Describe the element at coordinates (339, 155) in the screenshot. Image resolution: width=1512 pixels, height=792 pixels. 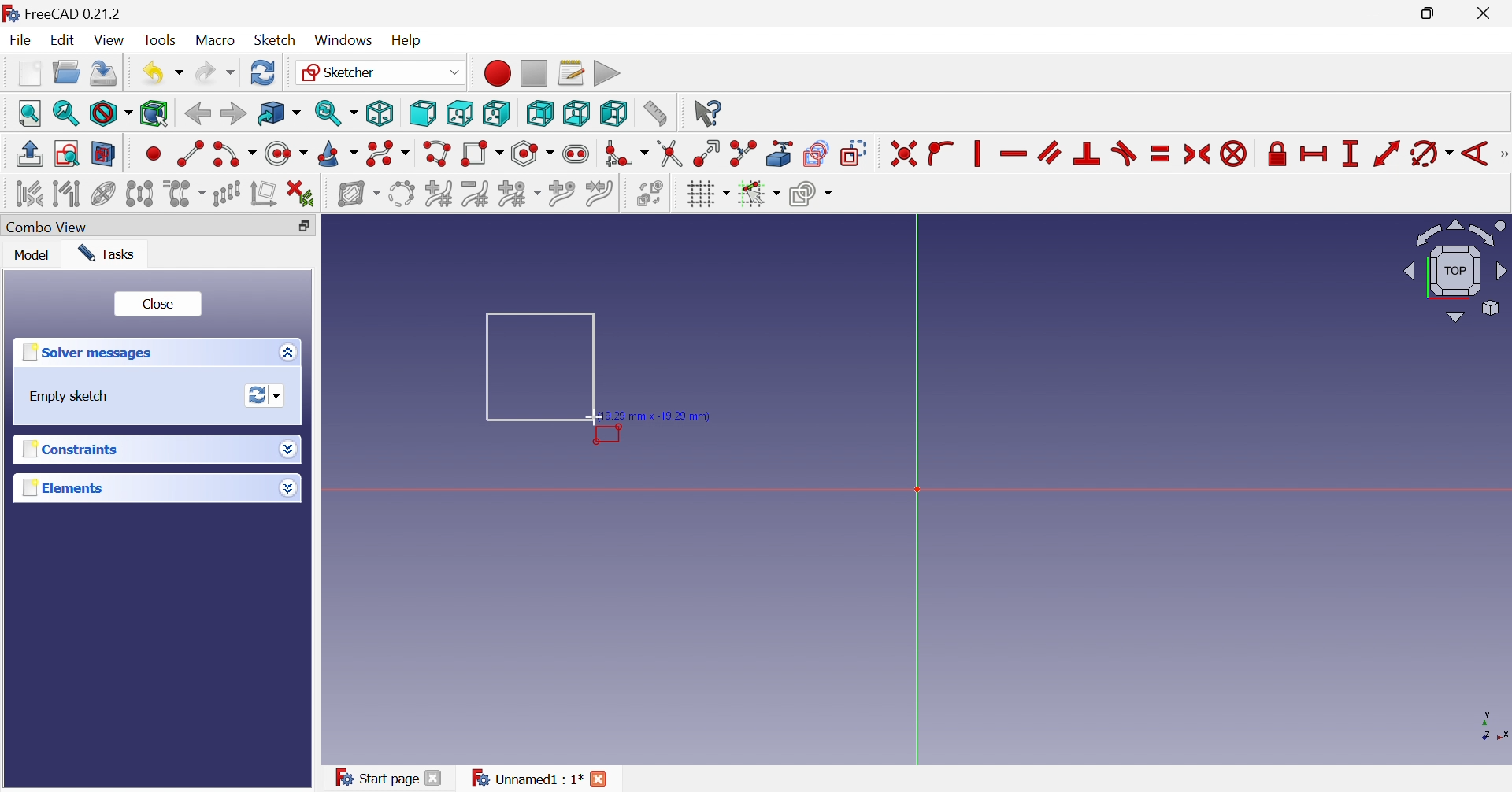
I see `Create conic` at that location.